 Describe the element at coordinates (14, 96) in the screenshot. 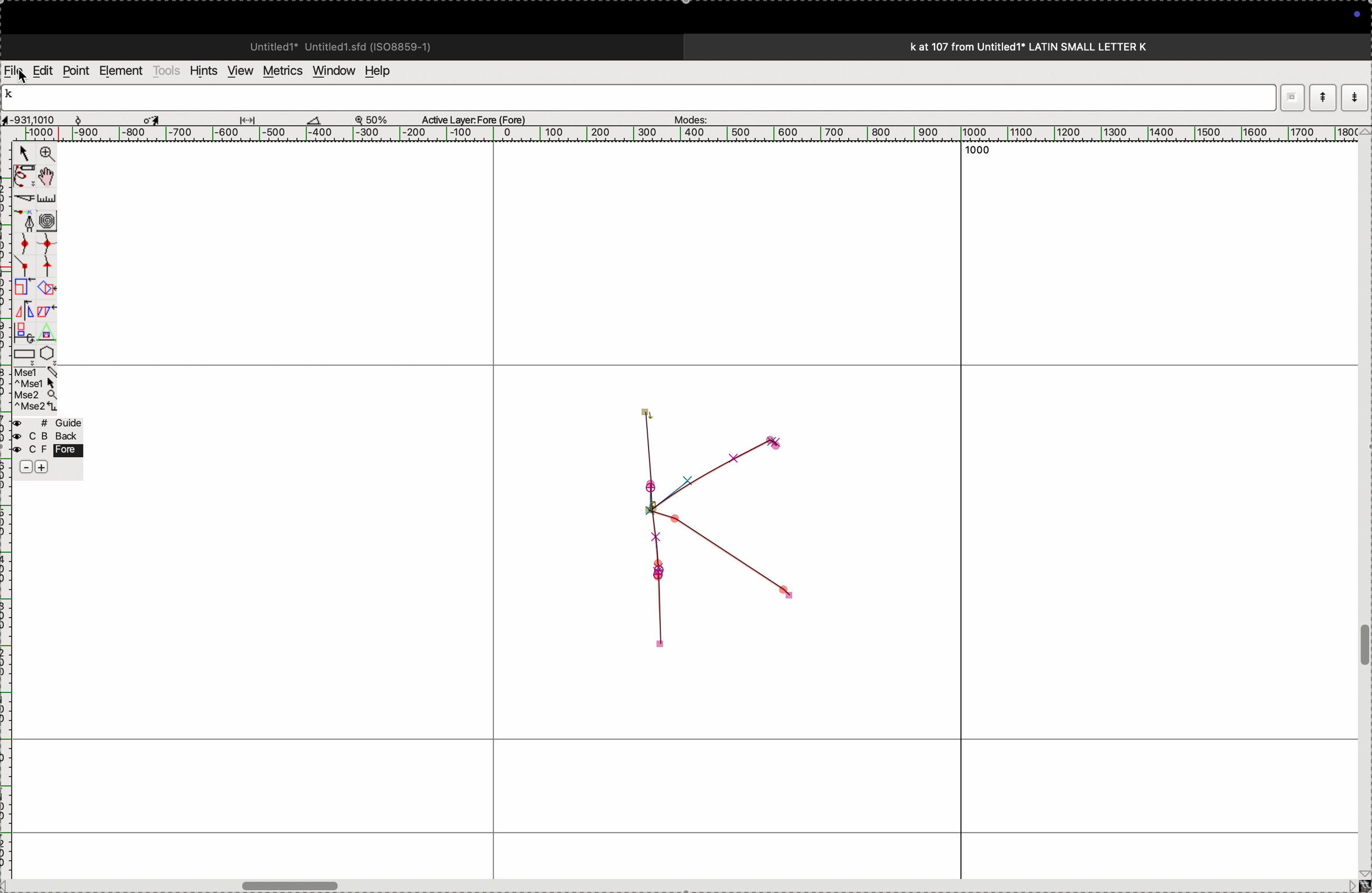

I see `K` at that location.